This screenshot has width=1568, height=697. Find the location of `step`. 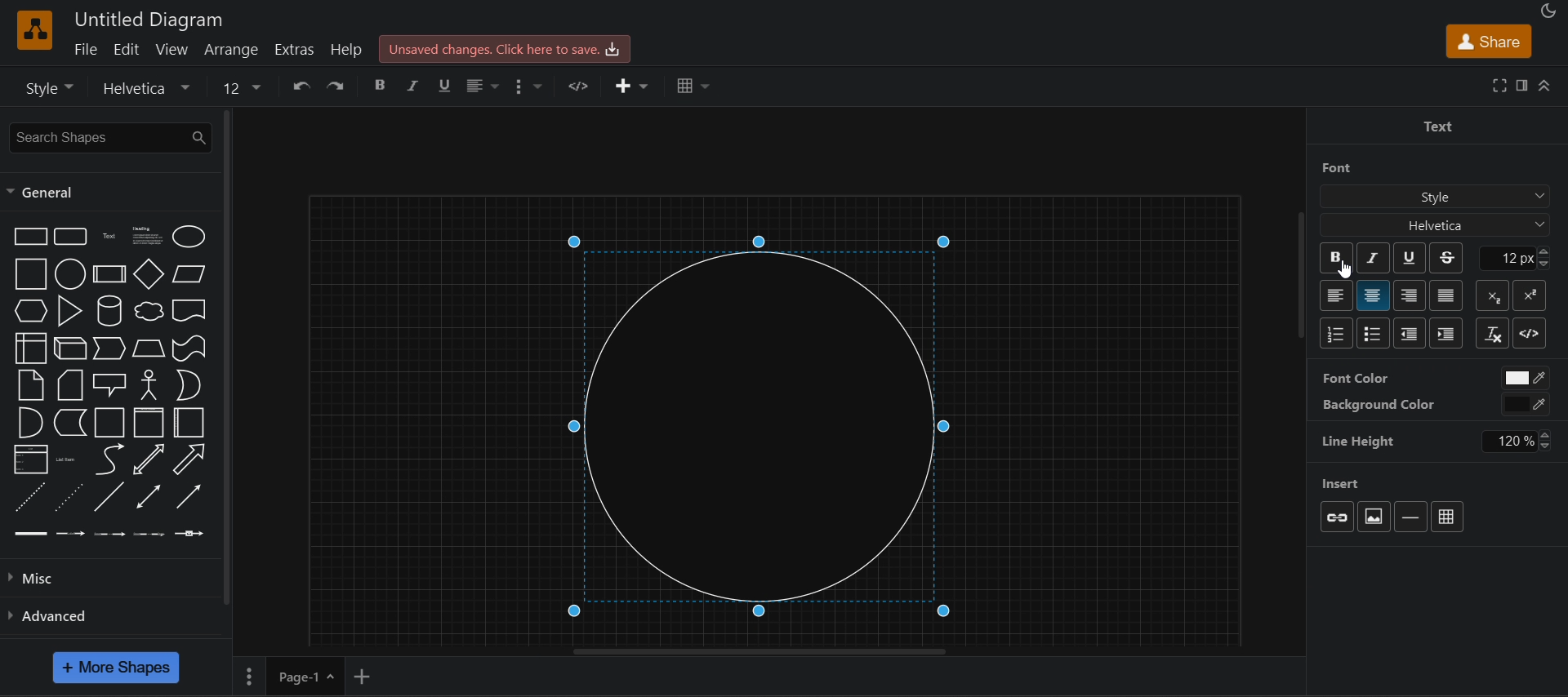

step is located at coordinates (108, 352).